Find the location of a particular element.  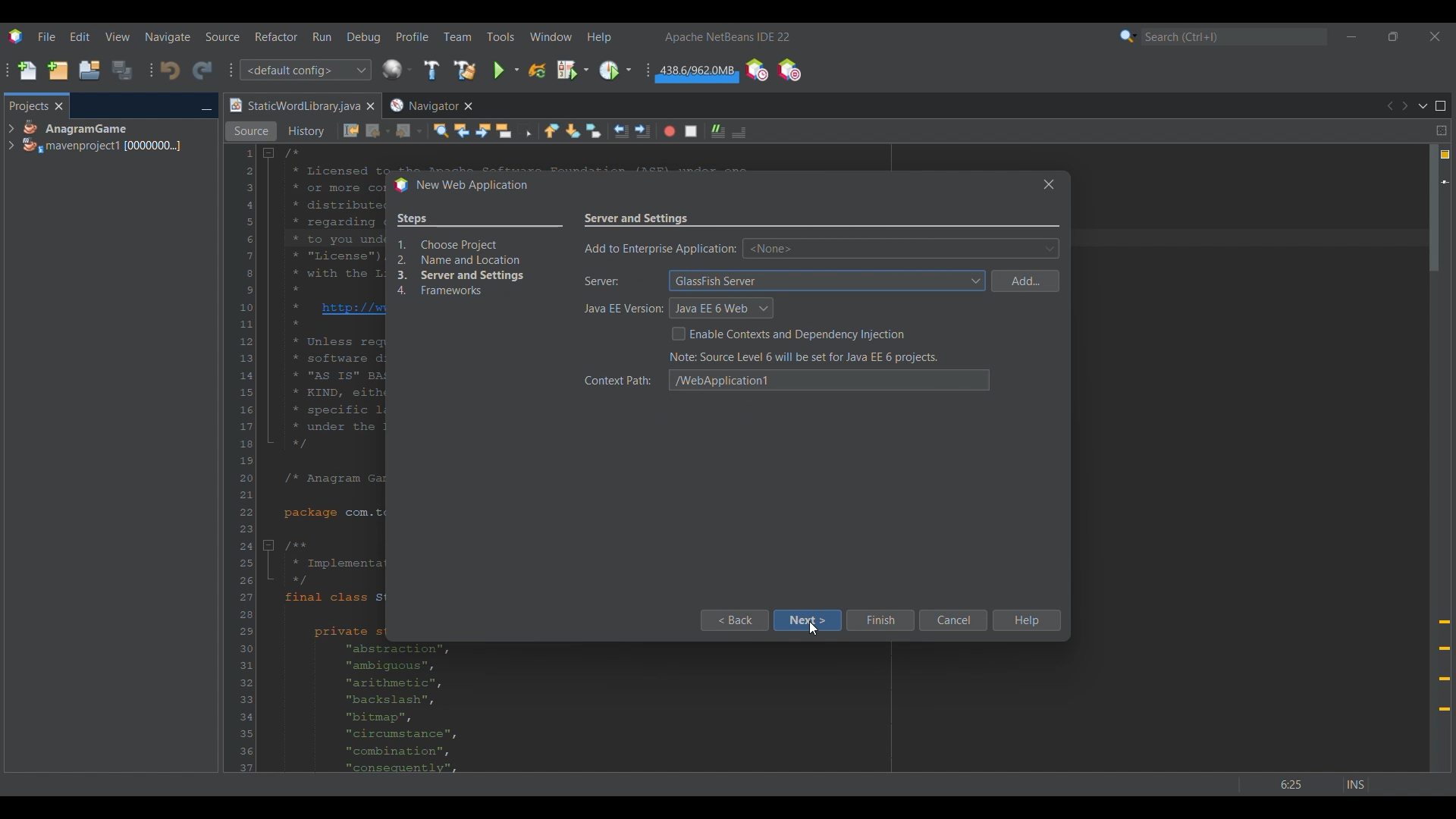

Previous is located at coordinates (1389, 106).